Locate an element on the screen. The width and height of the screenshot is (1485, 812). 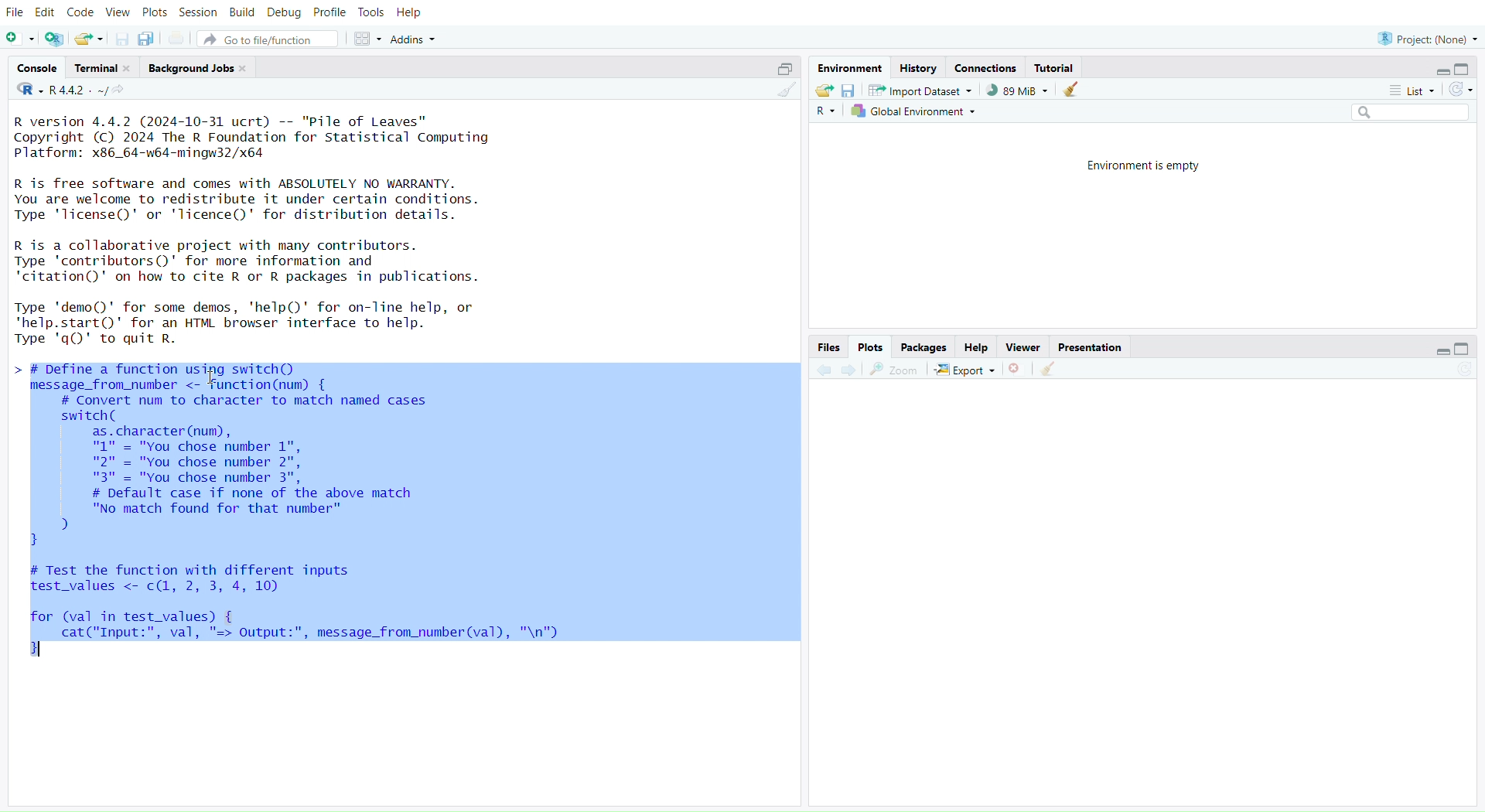
Plots is located at coordinates (870, 345).